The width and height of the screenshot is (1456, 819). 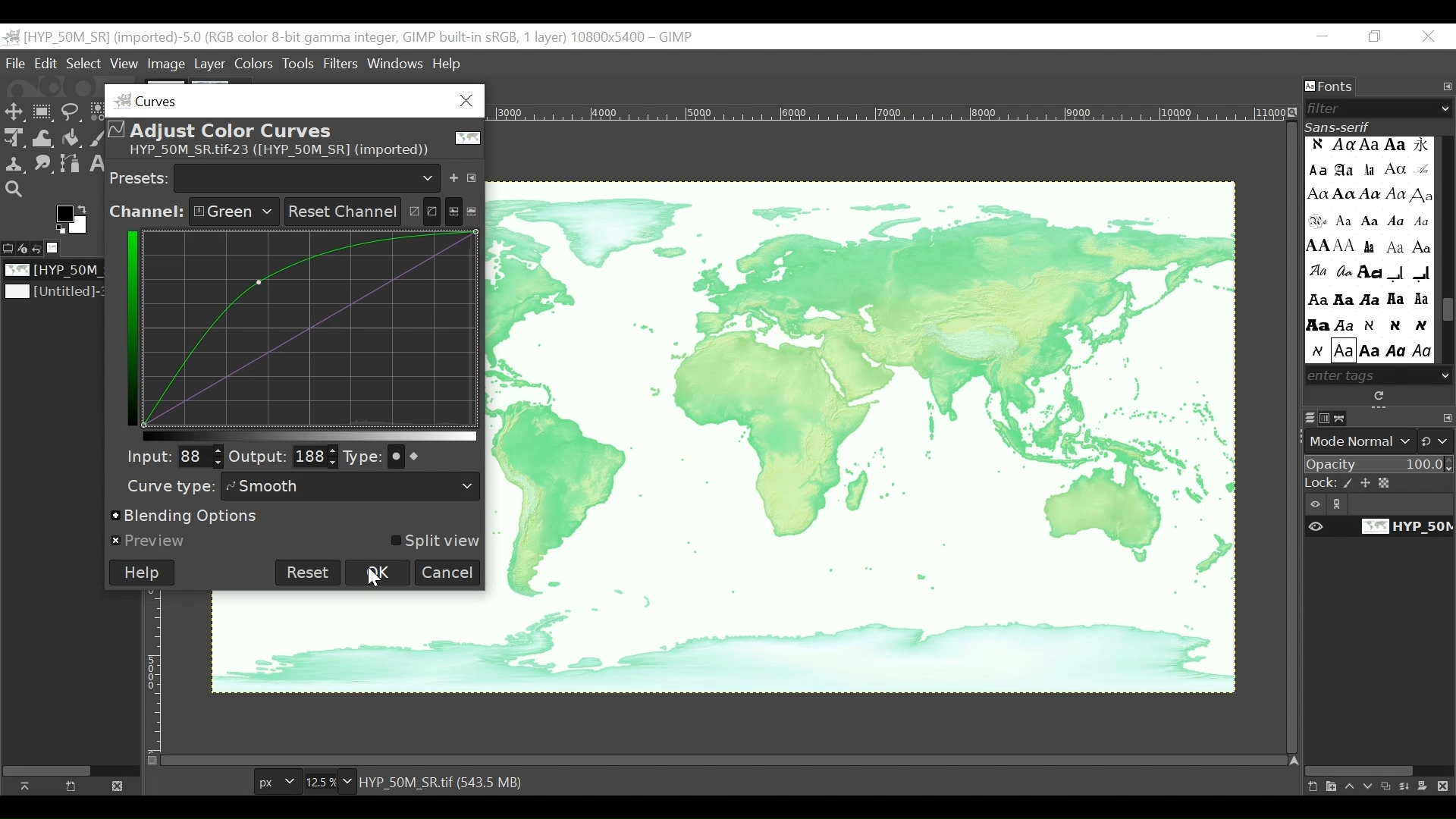 I want to click on Curve Type Options, so click(x=411, y=457).